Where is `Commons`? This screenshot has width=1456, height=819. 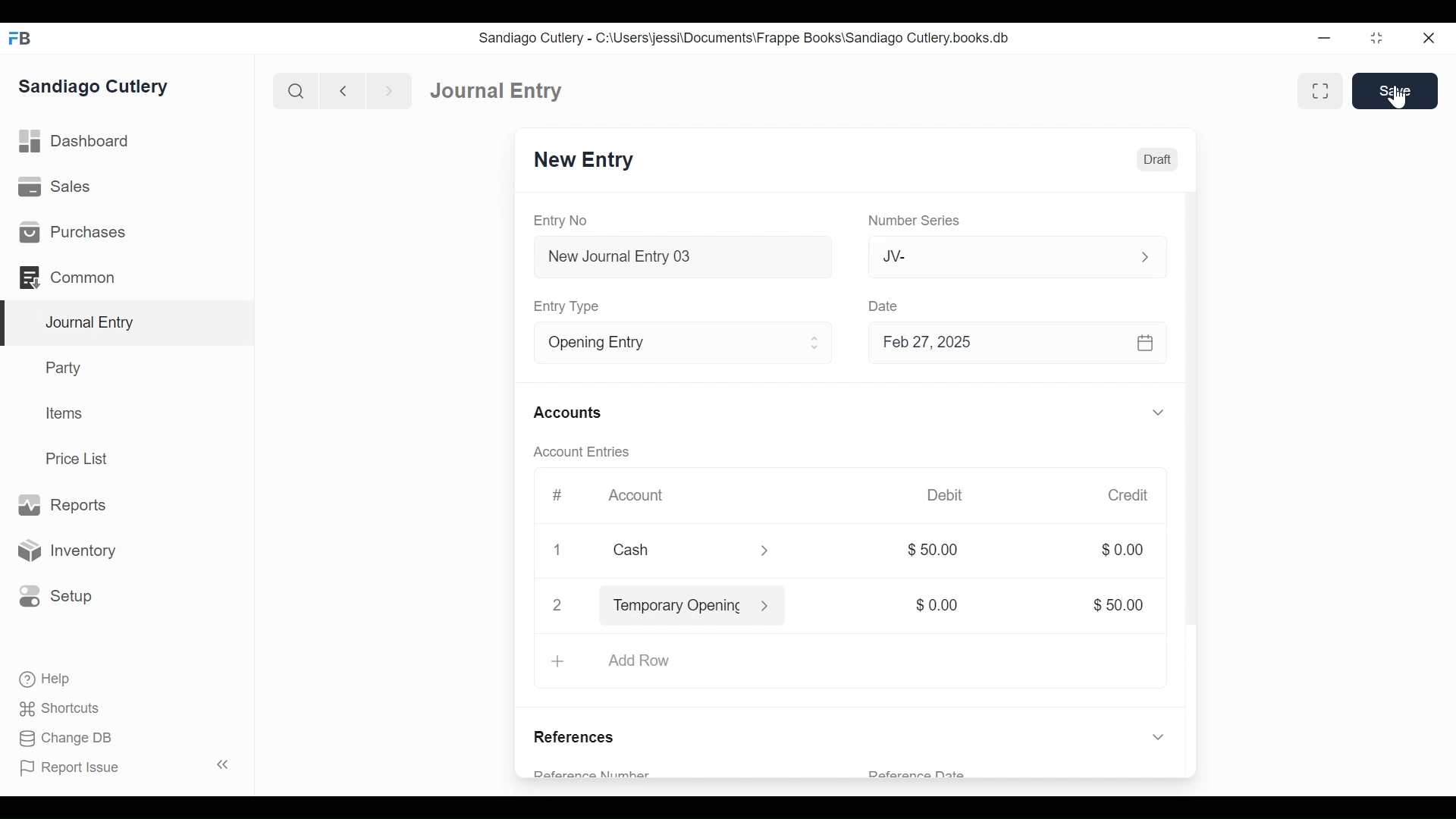
Commons is located at coordinates (66, 277).